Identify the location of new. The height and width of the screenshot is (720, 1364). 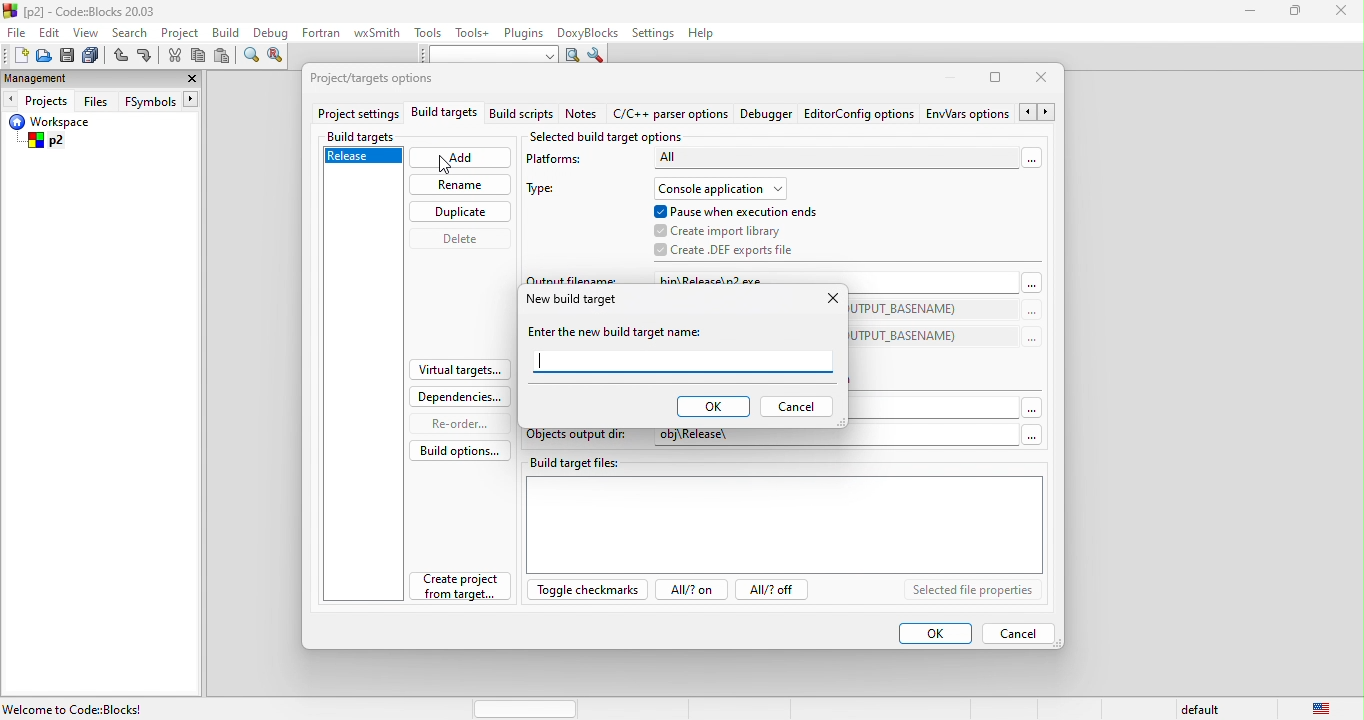
(15, 55).